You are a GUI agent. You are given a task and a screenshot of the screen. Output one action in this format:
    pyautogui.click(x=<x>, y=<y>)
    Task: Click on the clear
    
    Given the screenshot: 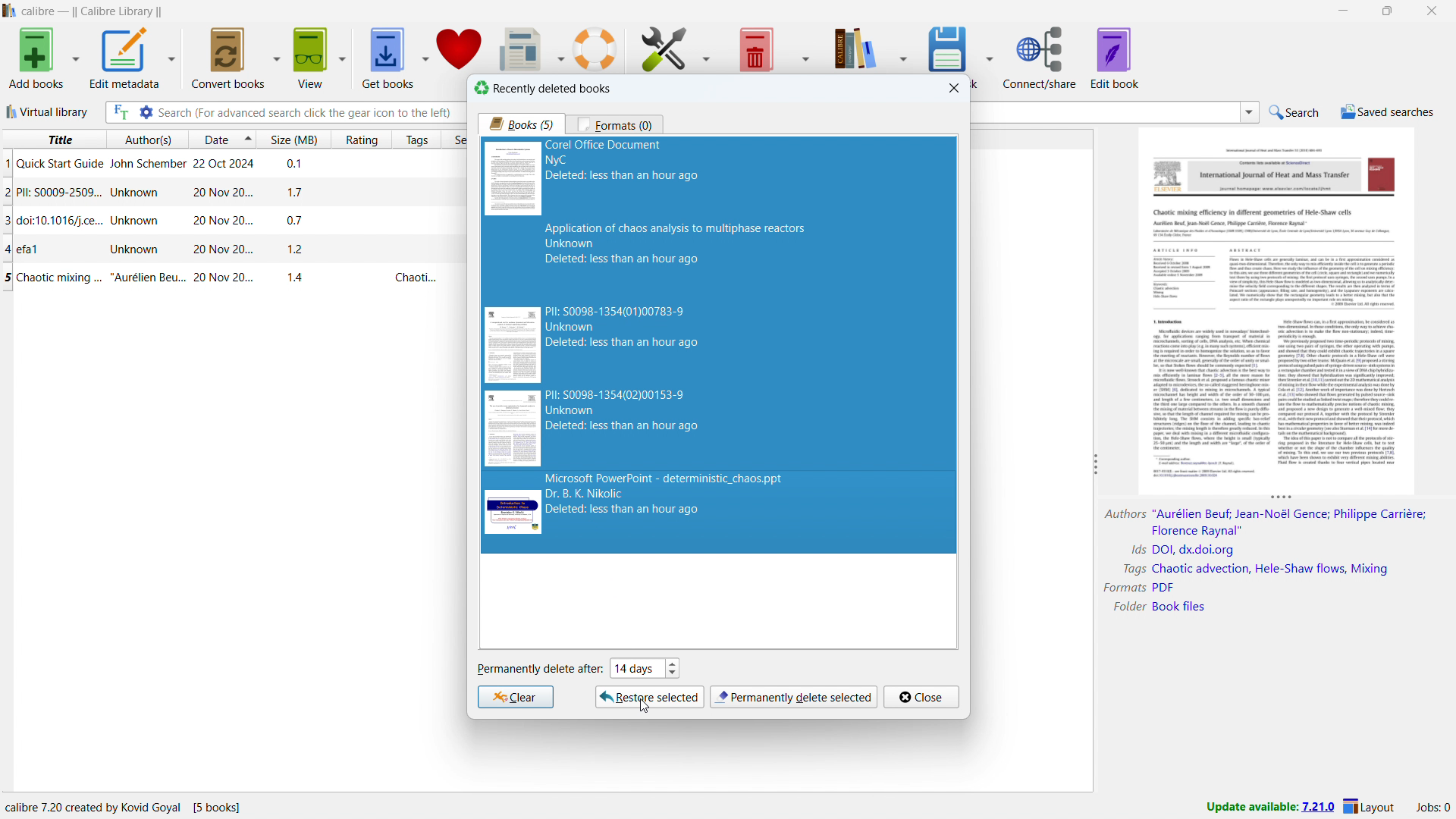 What is the action you would take?
    pyautogui.click(x=515, y=697)
    